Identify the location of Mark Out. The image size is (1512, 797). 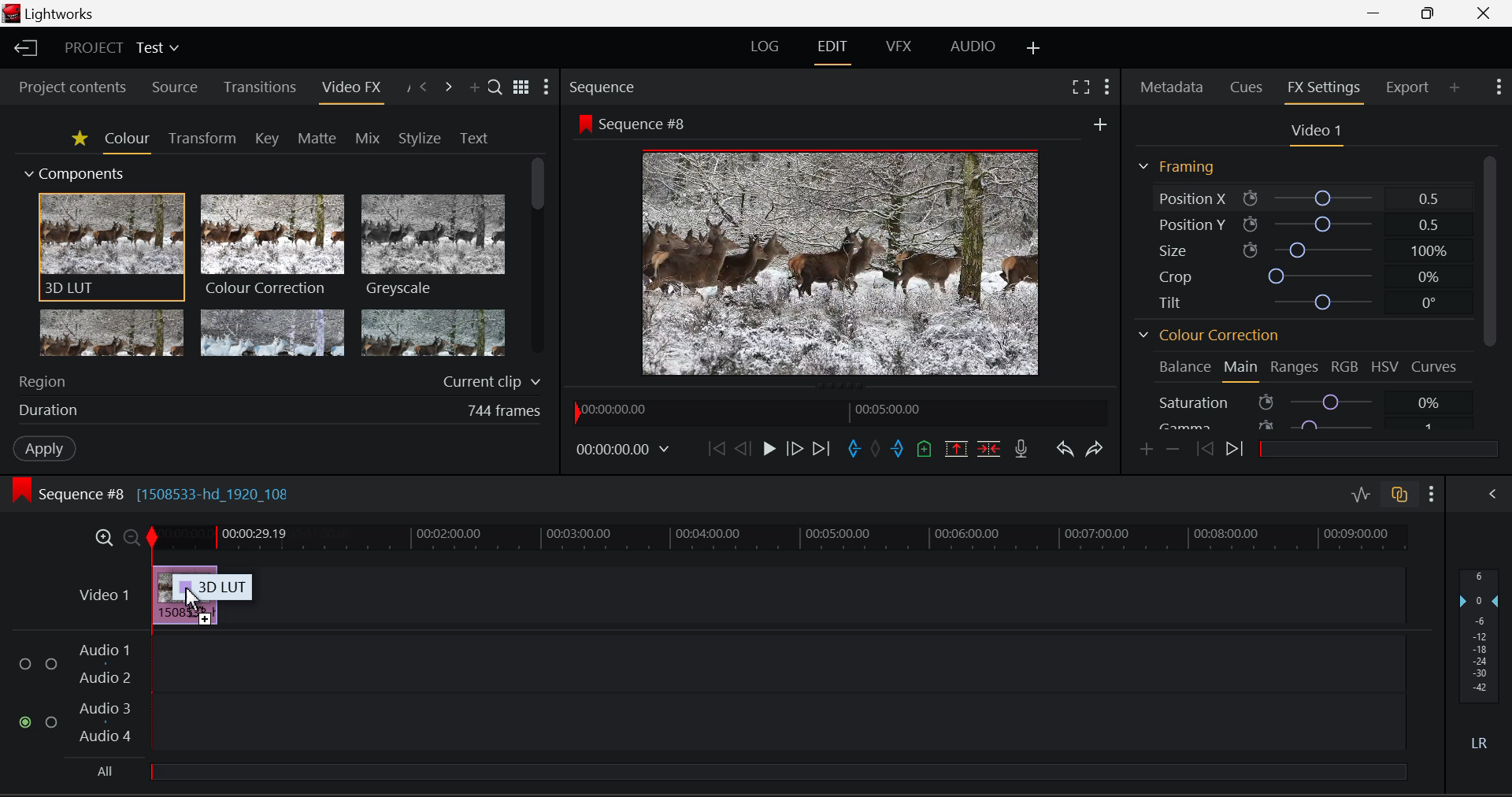
(898, 449).